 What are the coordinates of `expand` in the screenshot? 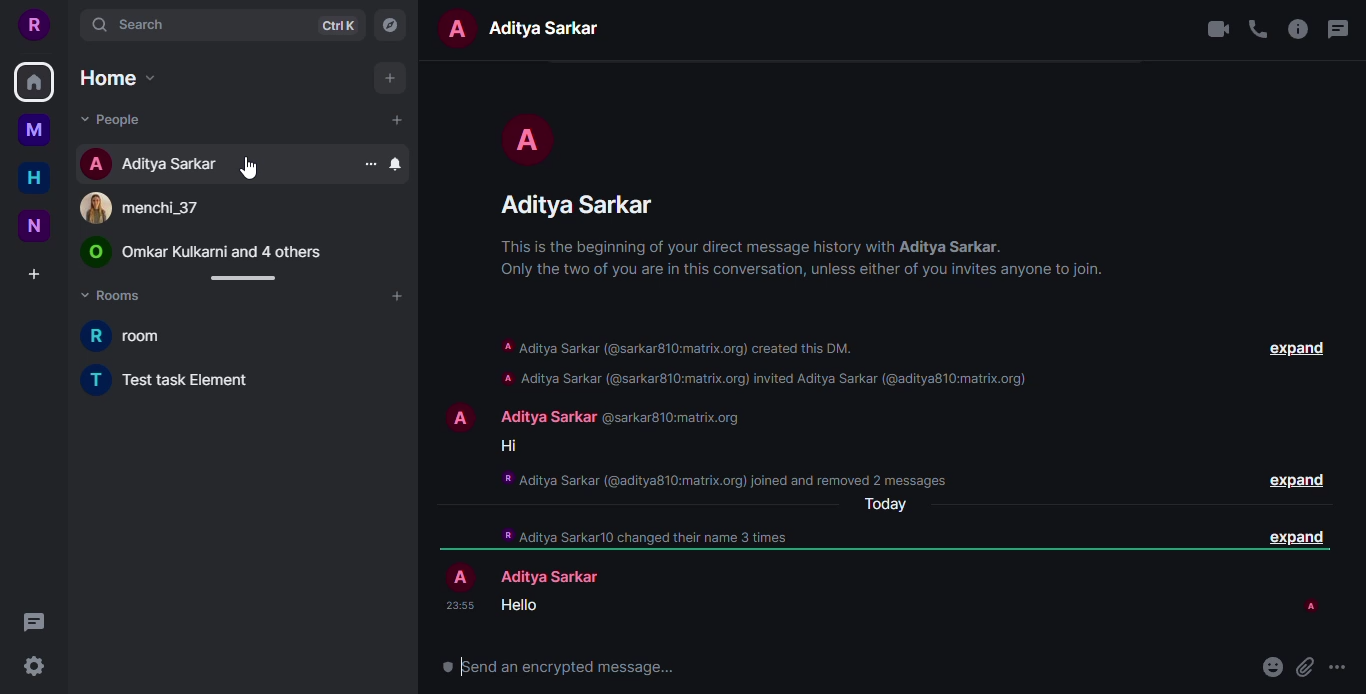 It's located at (1296, 348).